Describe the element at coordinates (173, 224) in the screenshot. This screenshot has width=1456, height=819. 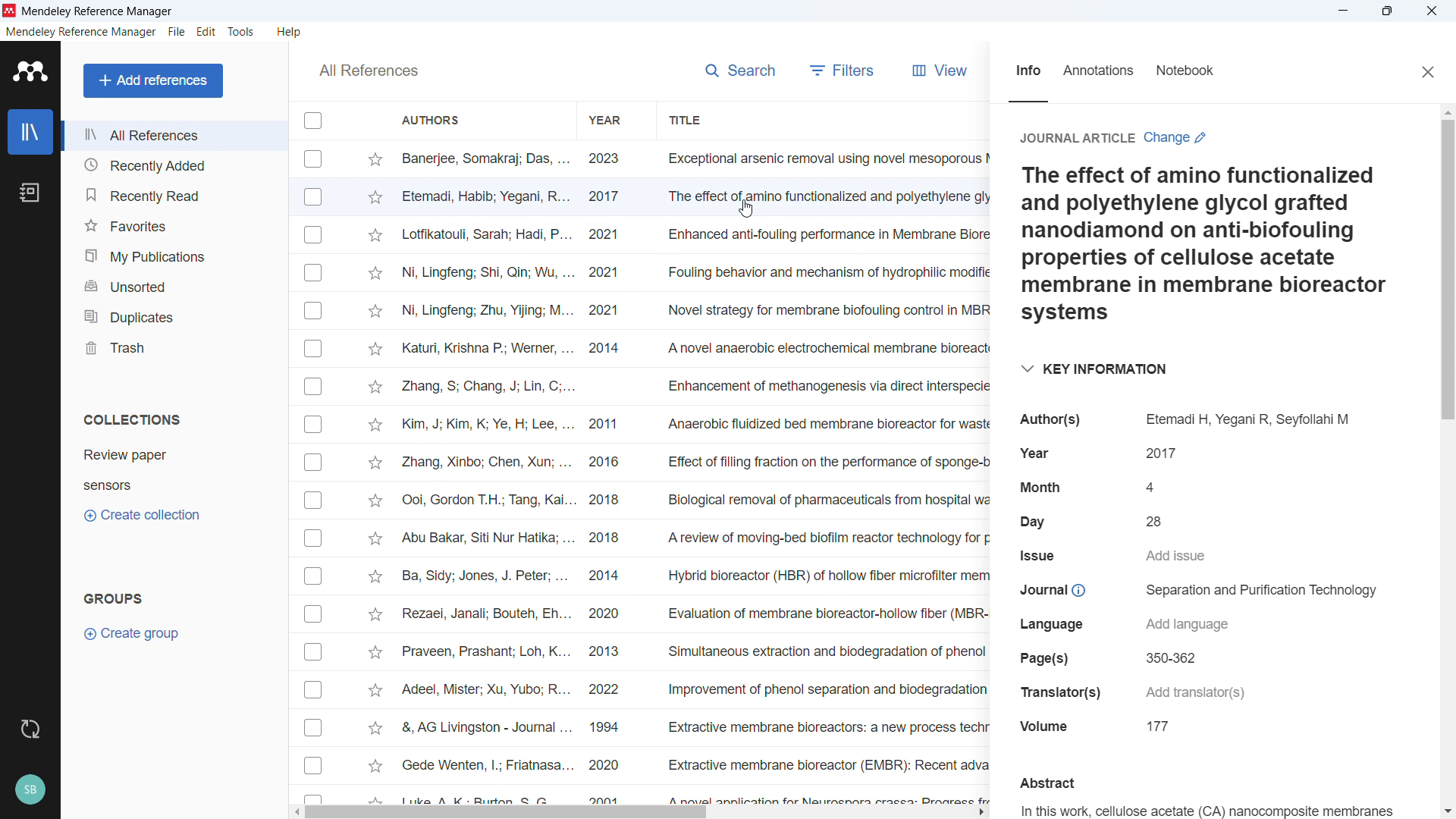
I see `favourites ` at that location.